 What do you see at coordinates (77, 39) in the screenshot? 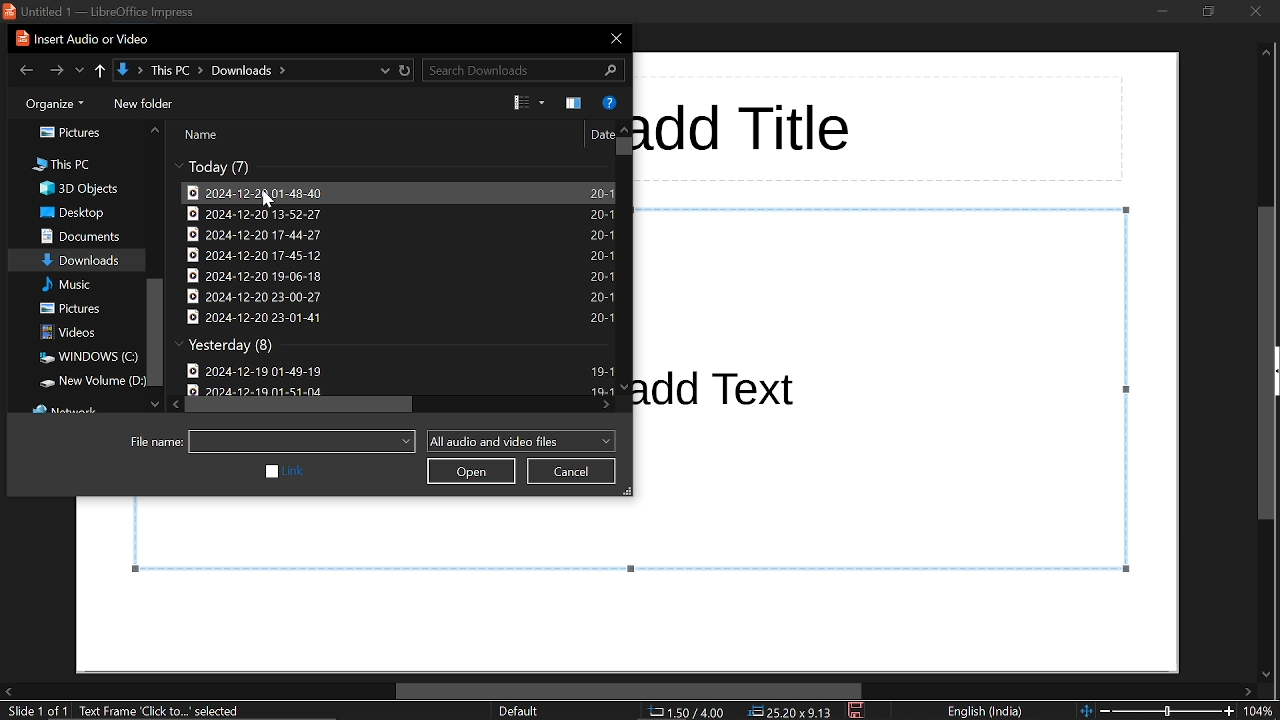
I see `Insert audio or video` at bounding box center [77, 39].